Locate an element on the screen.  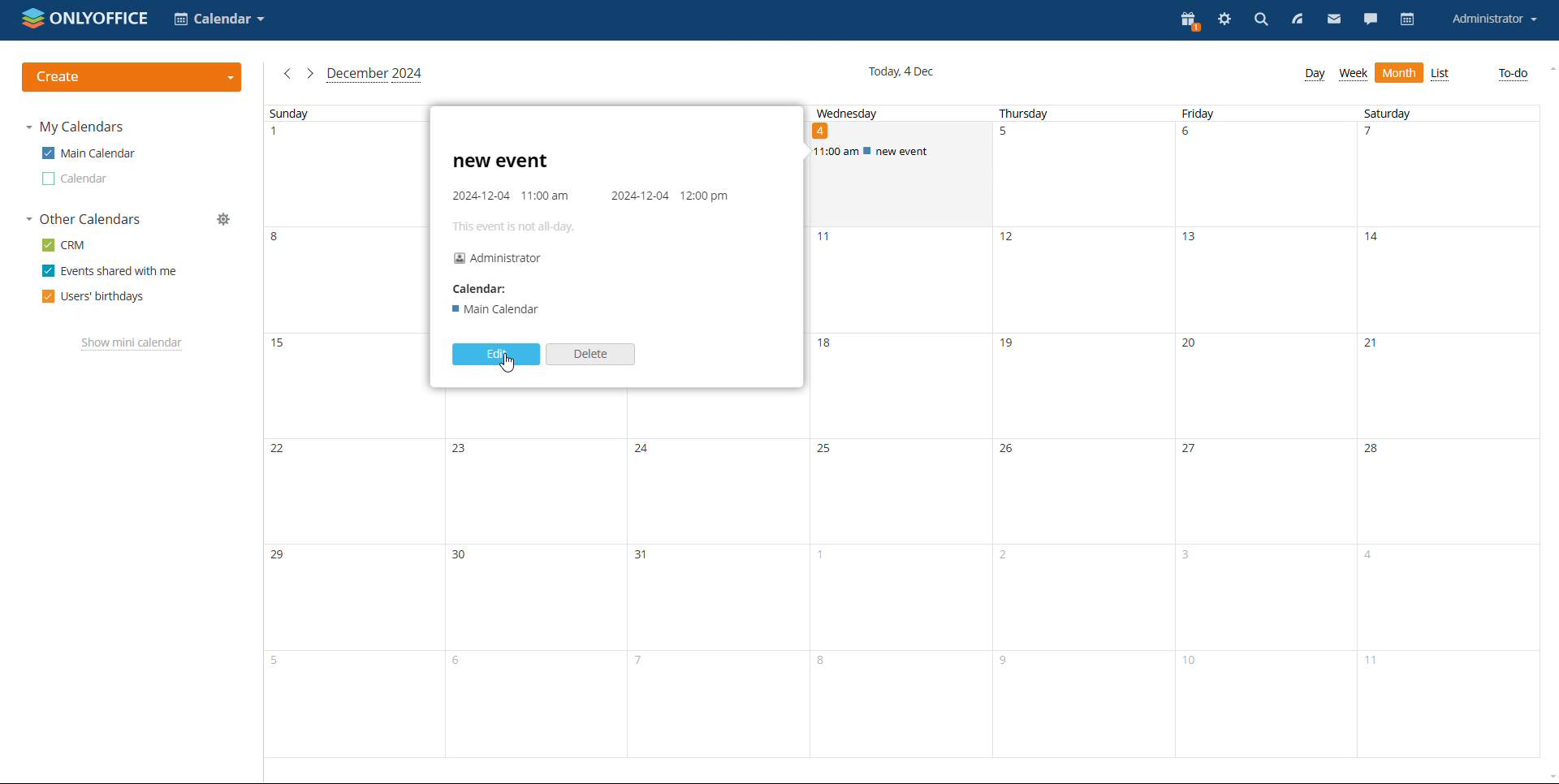
Administrator is located at coordinates (503, 258).